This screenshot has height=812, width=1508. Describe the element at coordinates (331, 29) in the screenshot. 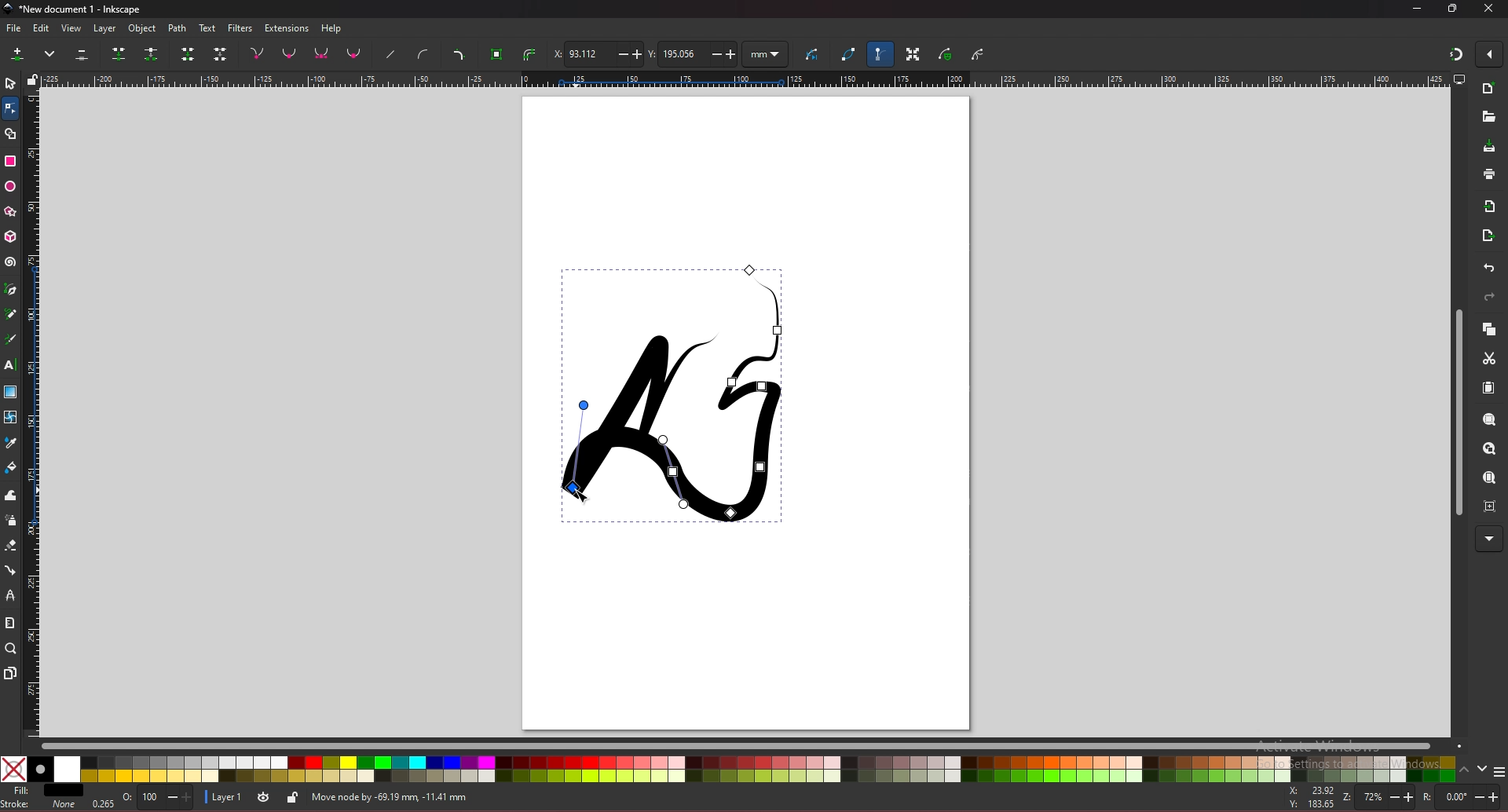

I see `help` at that location.